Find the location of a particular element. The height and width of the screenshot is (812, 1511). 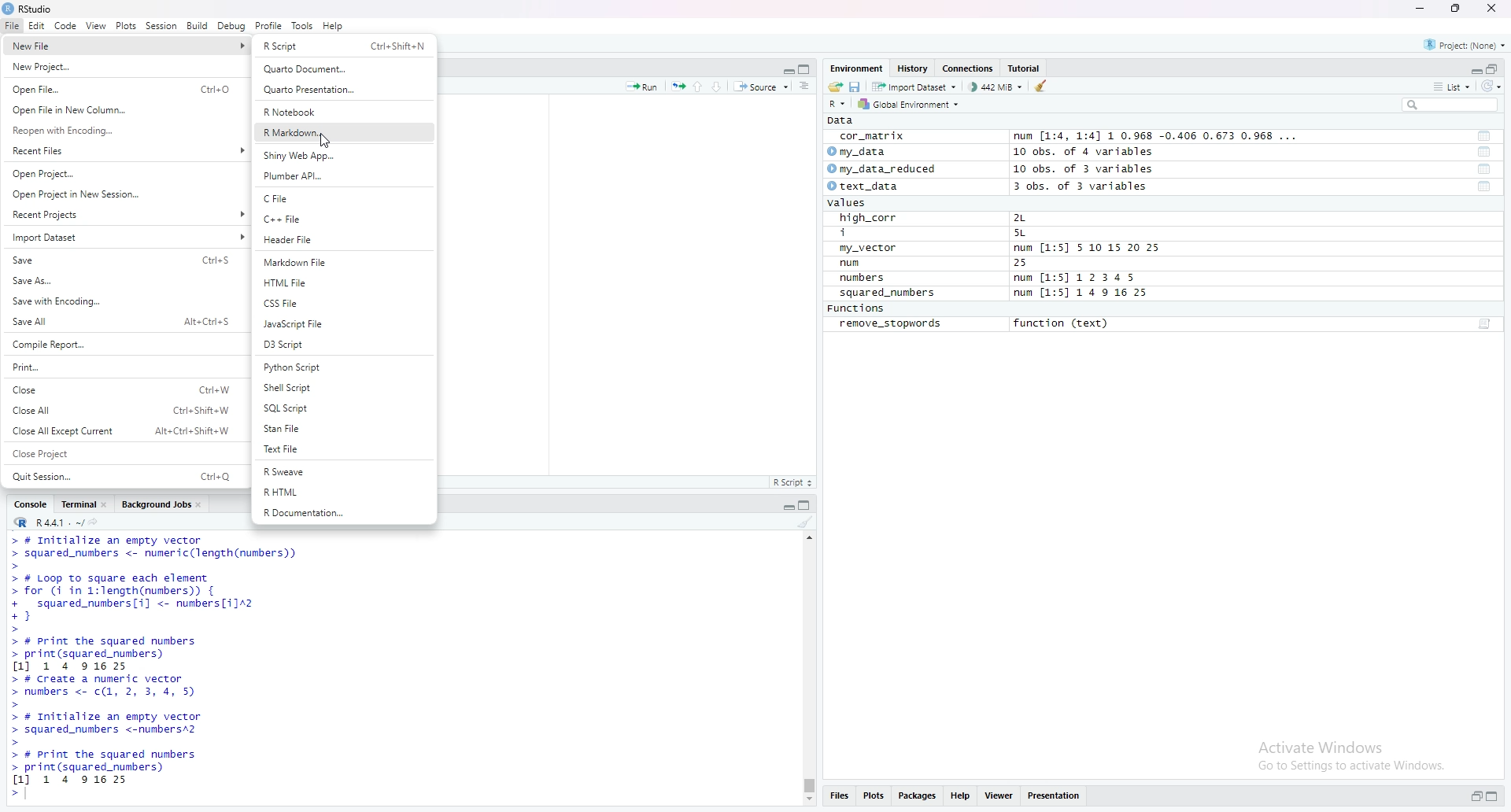

R Script Ctri+Shift+N is located at coordinates (344, 46).